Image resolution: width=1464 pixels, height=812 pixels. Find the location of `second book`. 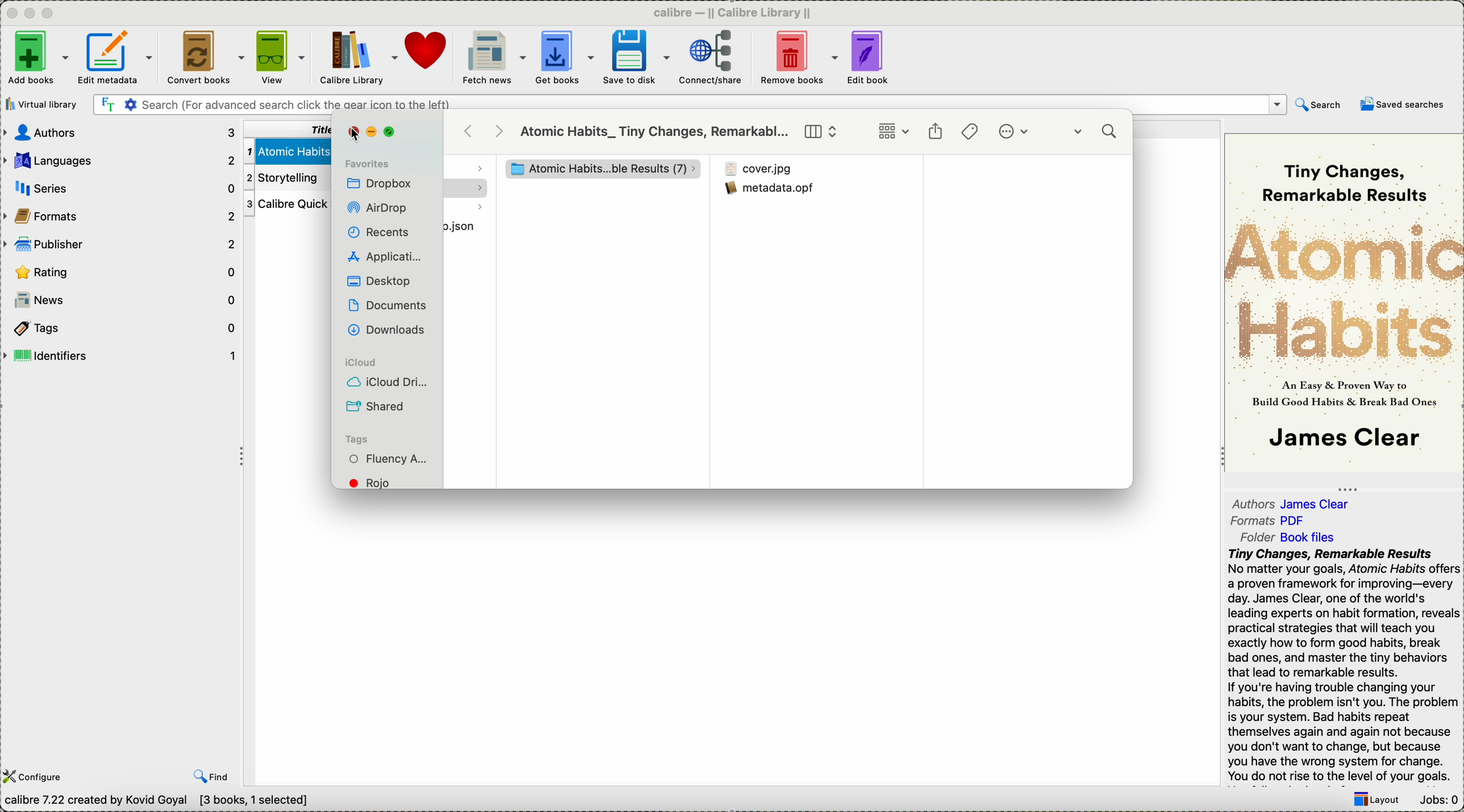

second book is located at coordinates (284, 178).